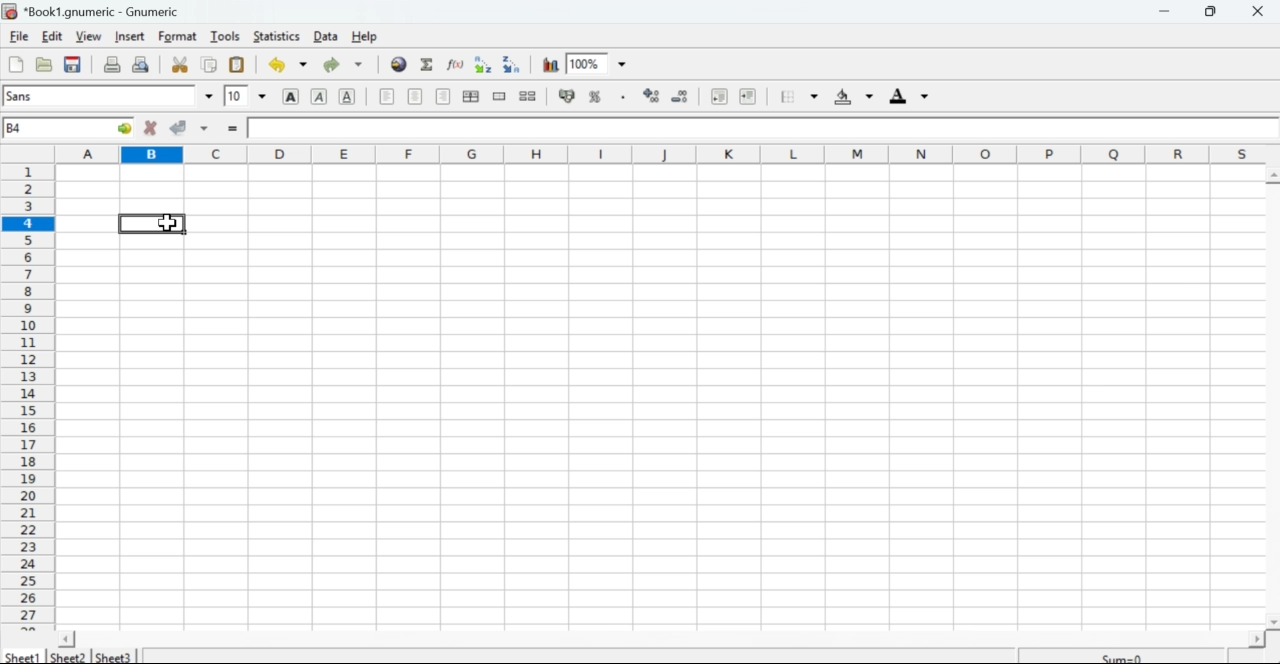 Image resolution: width=1280 pixels, height=664 pixels. Describe the element at coordinates (67, 639) in the screenshot. I see `scroll left` at that location.